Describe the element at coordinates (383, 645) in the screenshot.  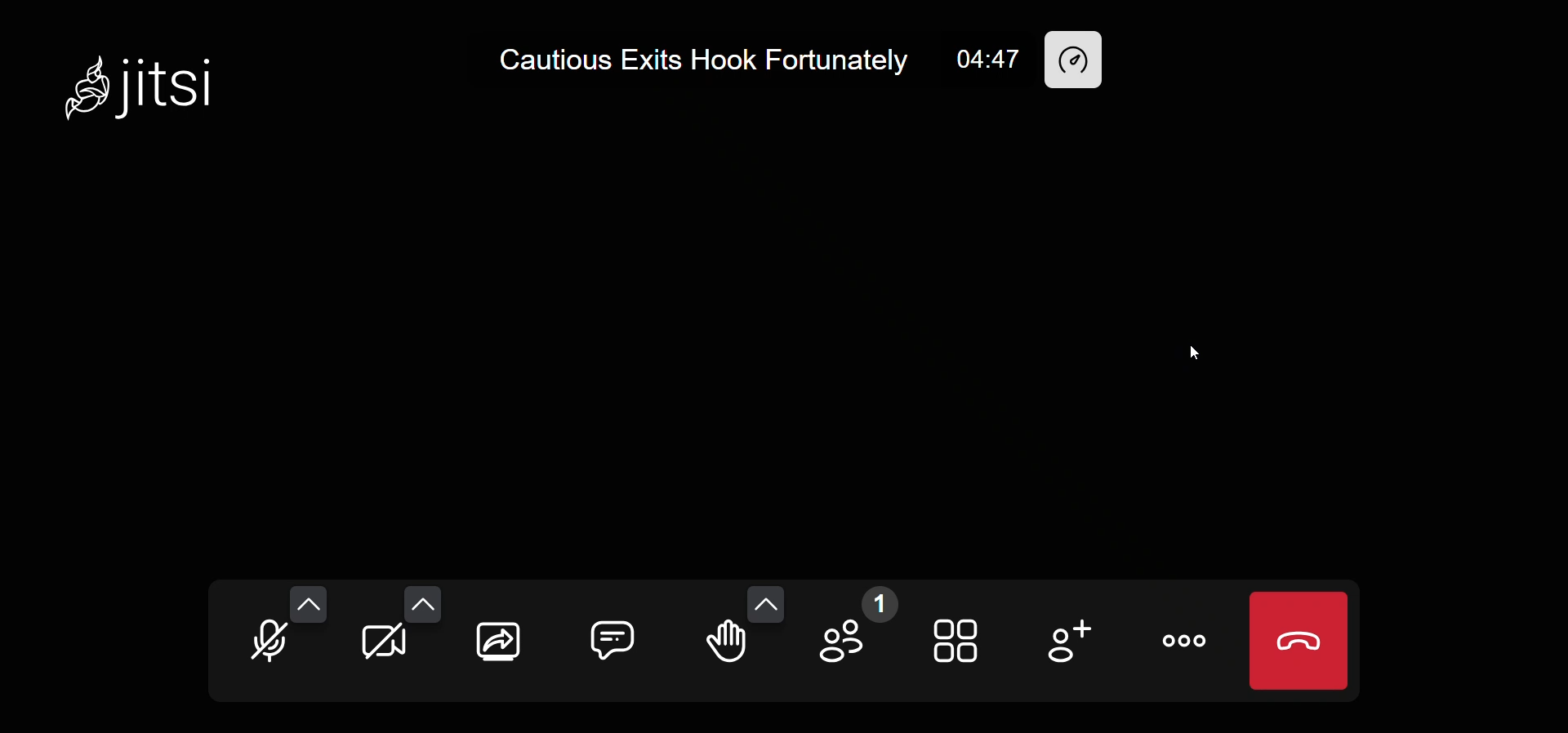
I see `camera` at that location.